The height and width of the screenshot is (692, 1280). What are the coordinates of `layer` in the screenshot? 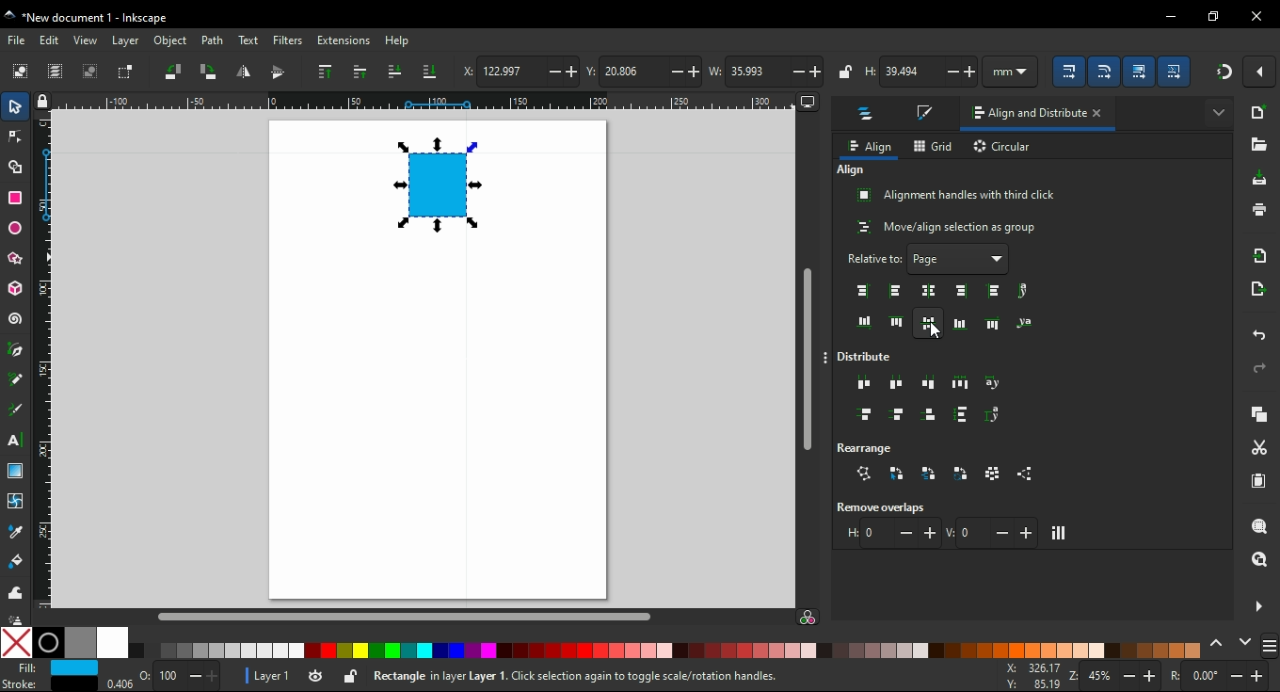 It's located at (126, 41).